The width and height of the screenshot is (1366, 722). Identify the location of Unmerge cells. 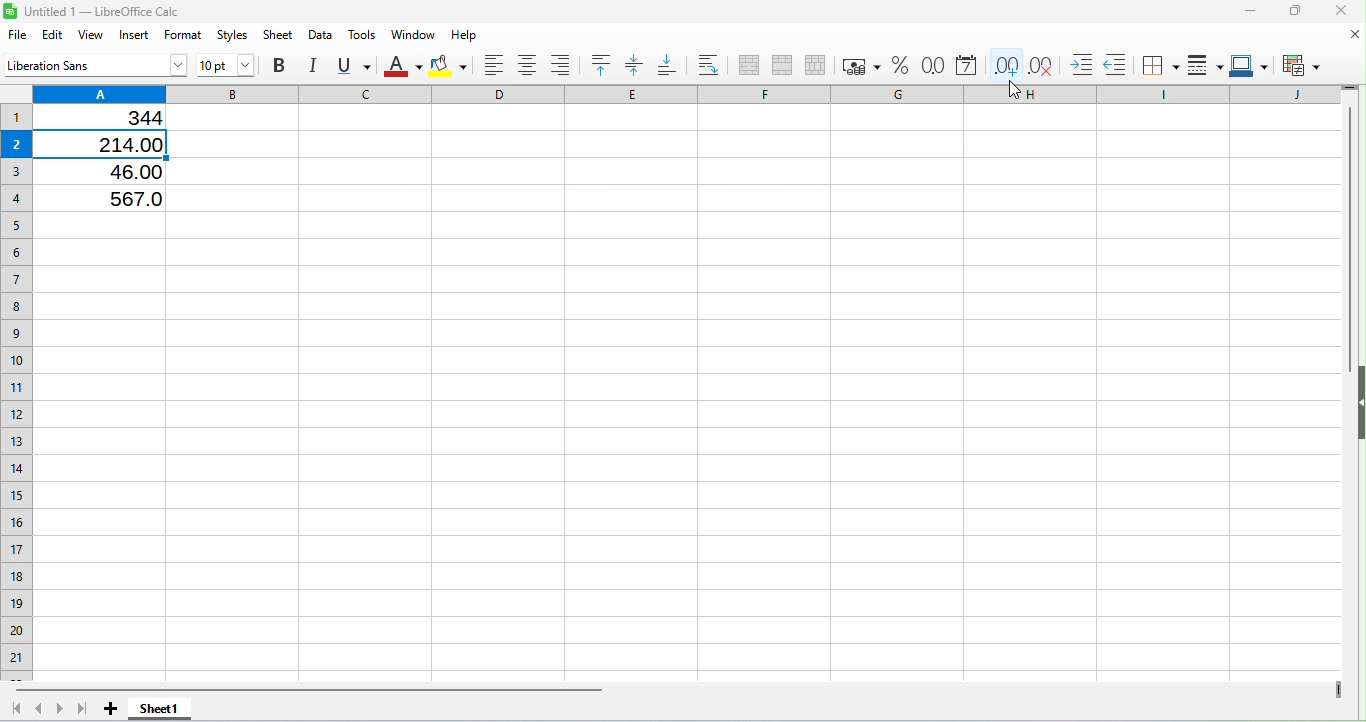
(814, 64).